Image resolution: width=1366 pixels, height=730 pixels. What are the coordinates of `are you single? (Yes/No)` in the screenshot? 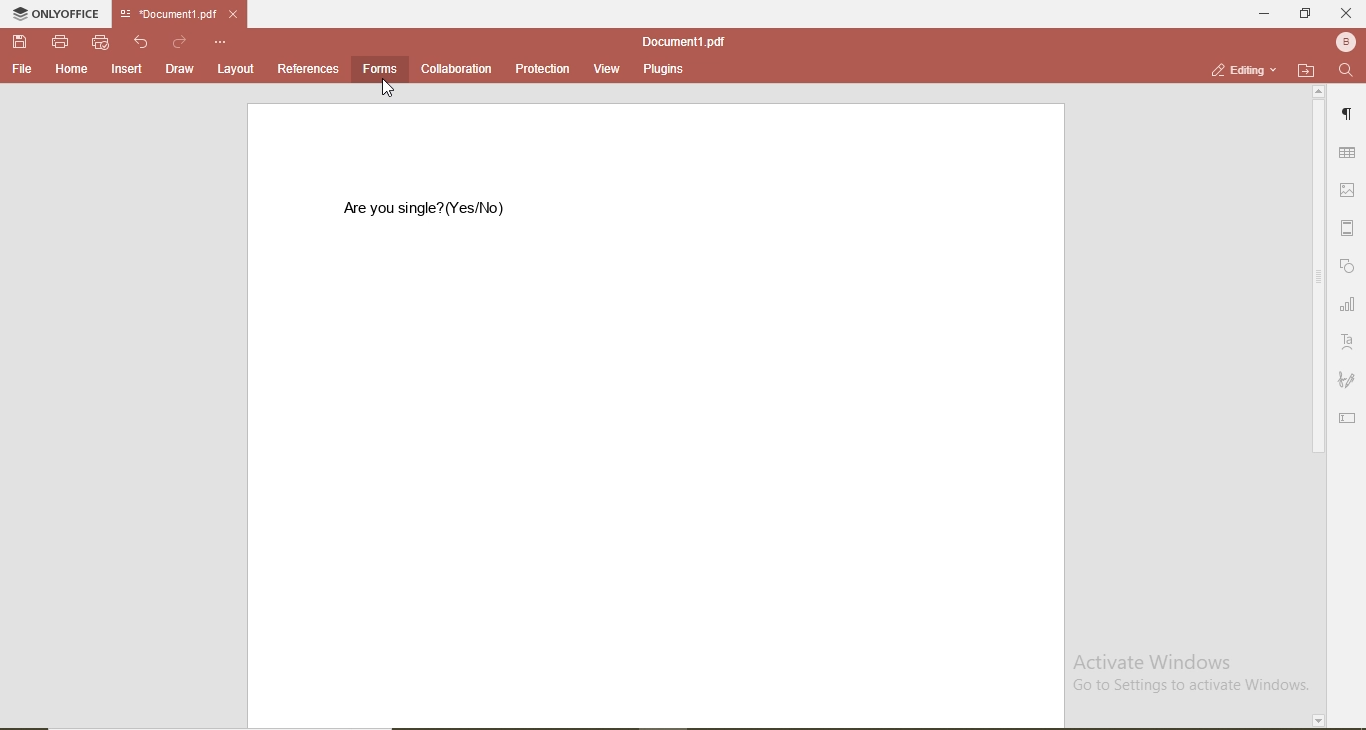 It's located at (430, 210).